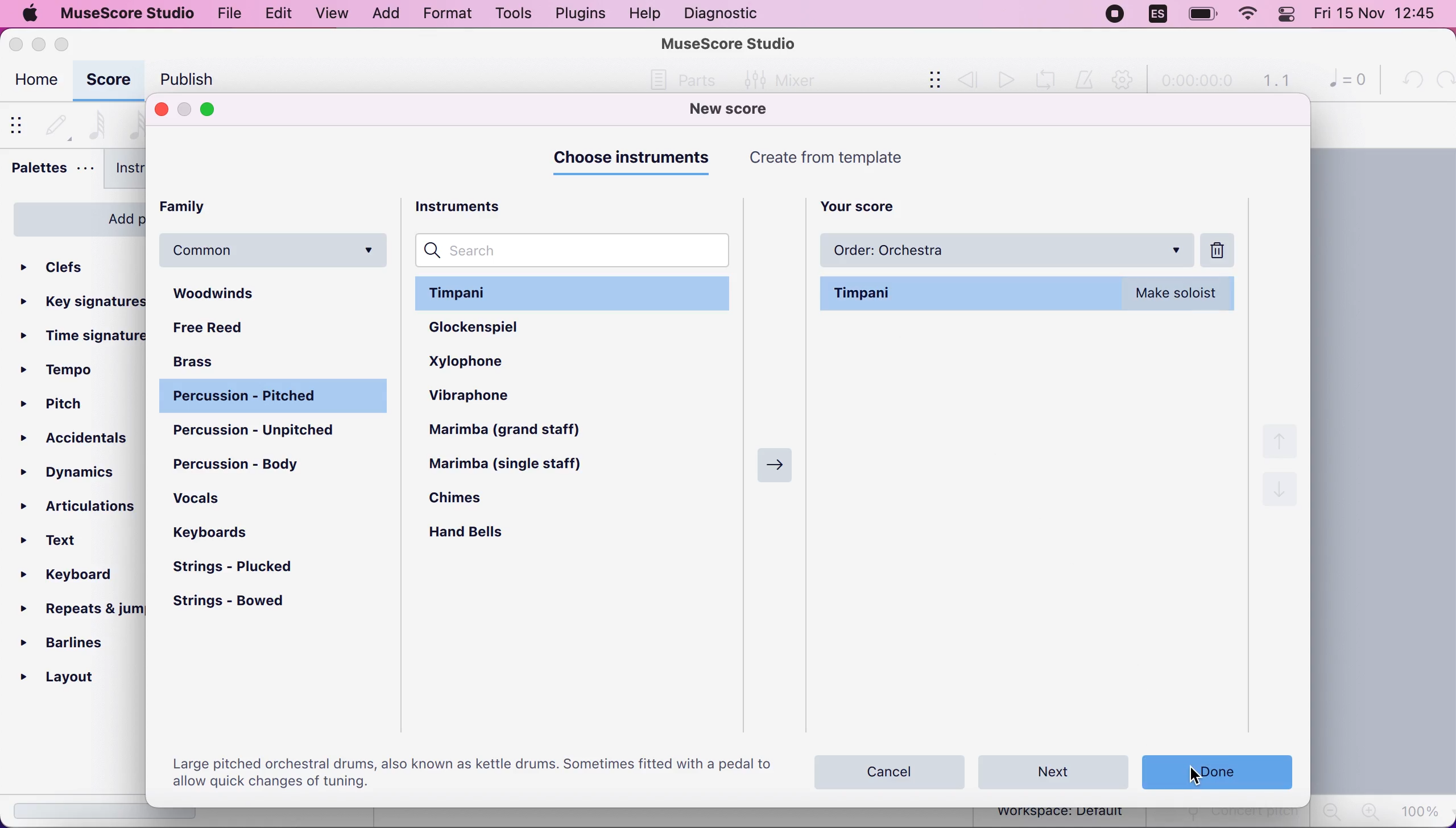 Image resolution: width=1456 pixels, height=828 pixels. What do you see at coordinates (276, 294) in the screenshot?
I see `woodwinds` at bounding box center [276, 294].